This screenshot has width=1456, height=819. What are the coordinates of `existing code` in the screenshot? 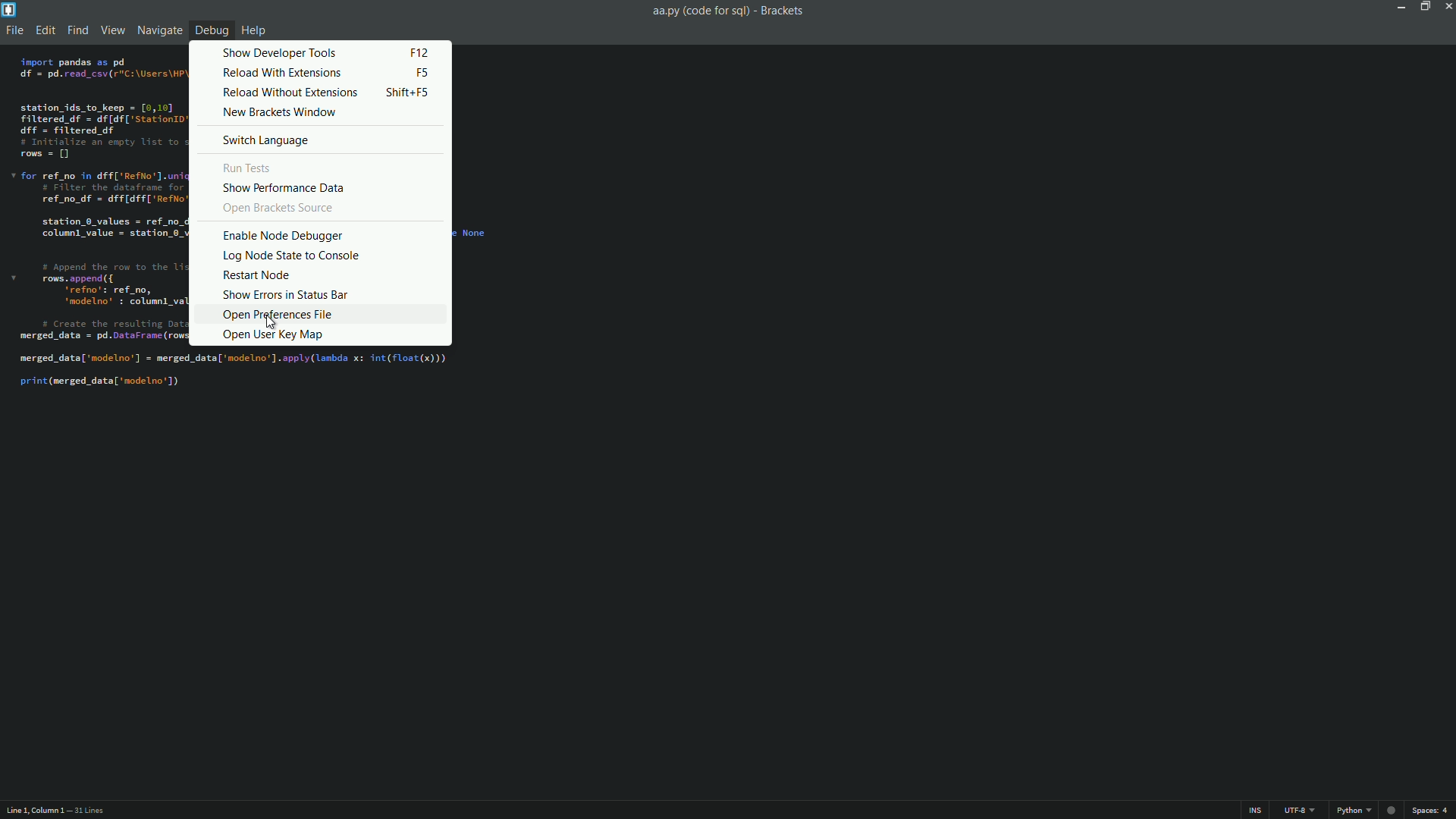 It's located at (102, 227).